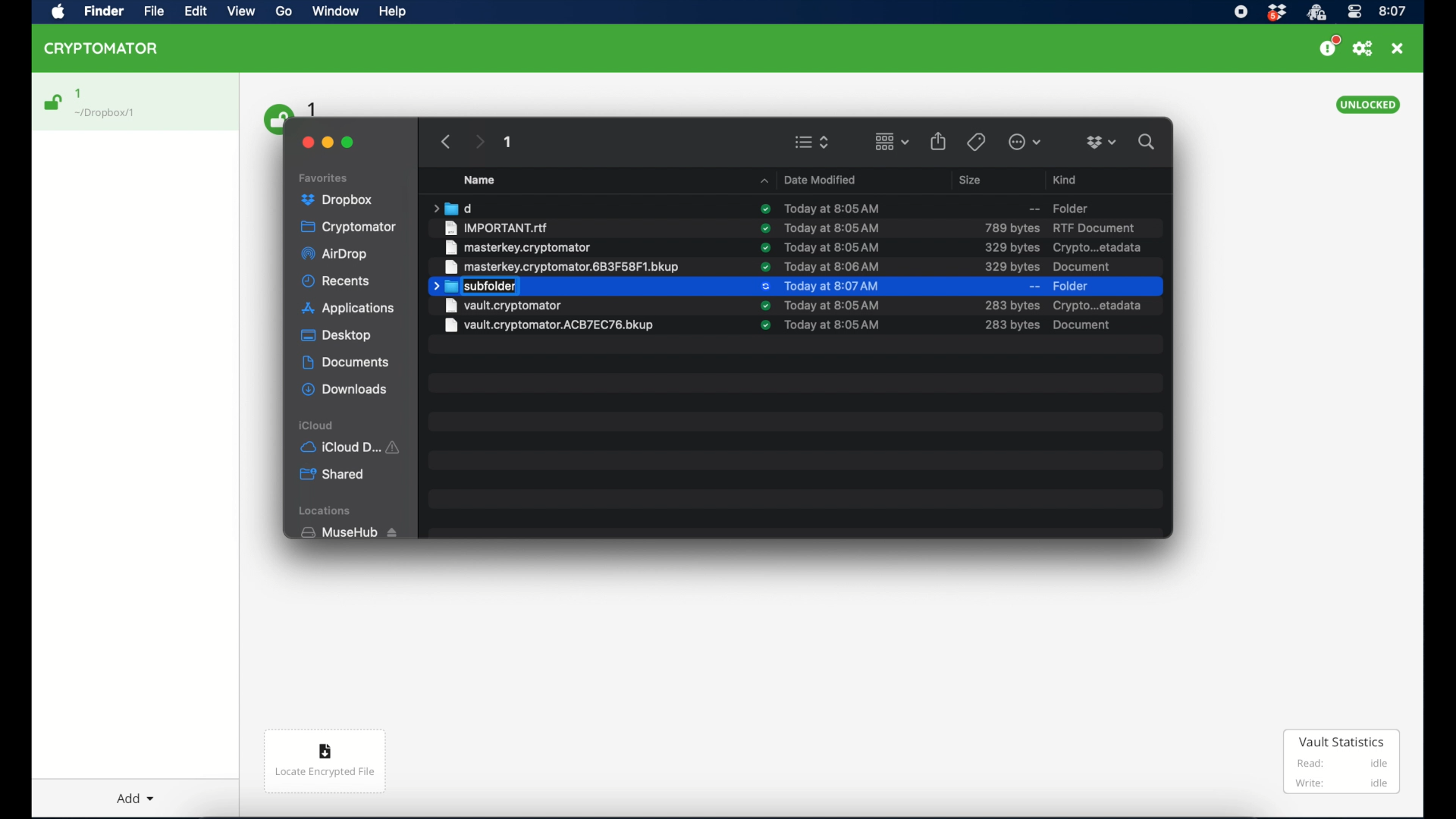  I want to click on subfolder, so click(474, 287).